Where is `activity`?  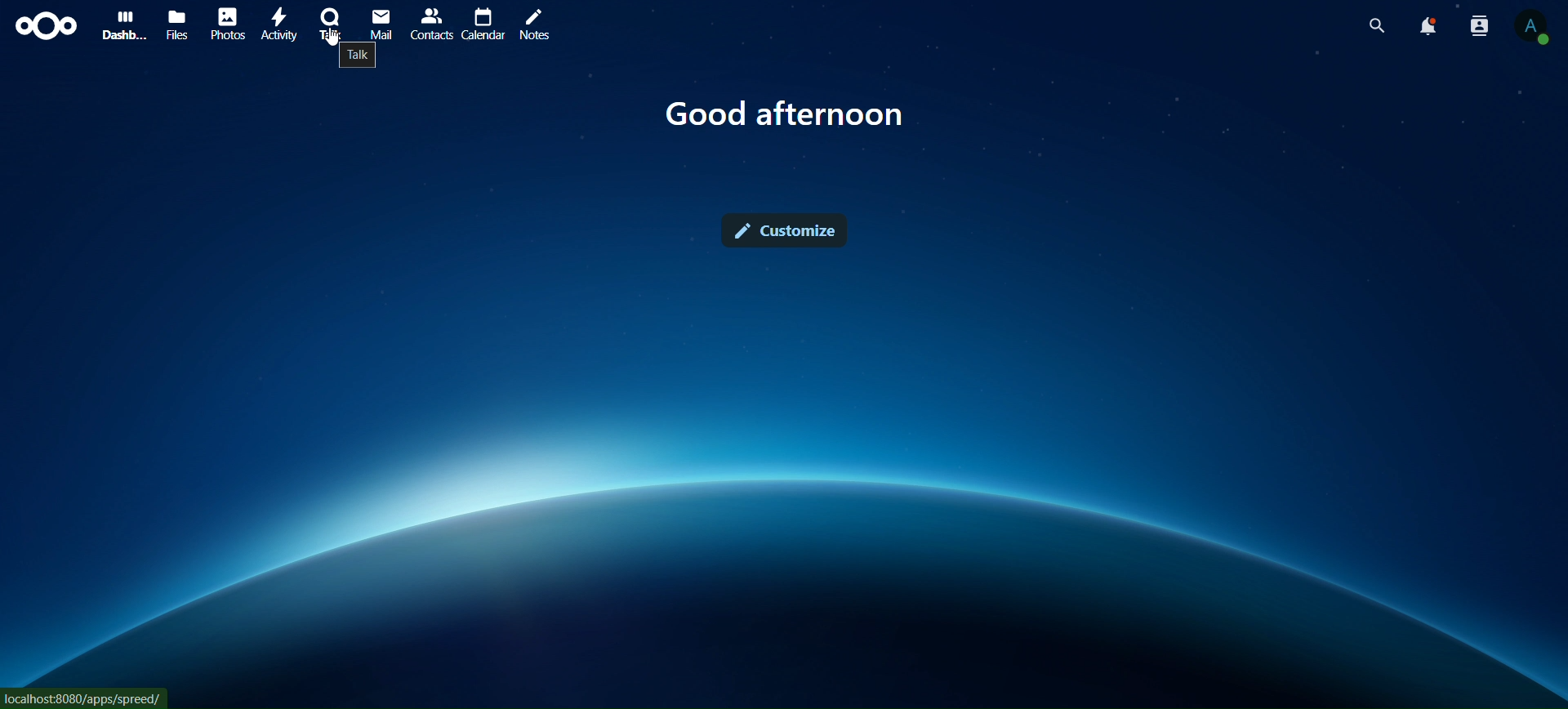
activity is located at coordinates (276, 22).